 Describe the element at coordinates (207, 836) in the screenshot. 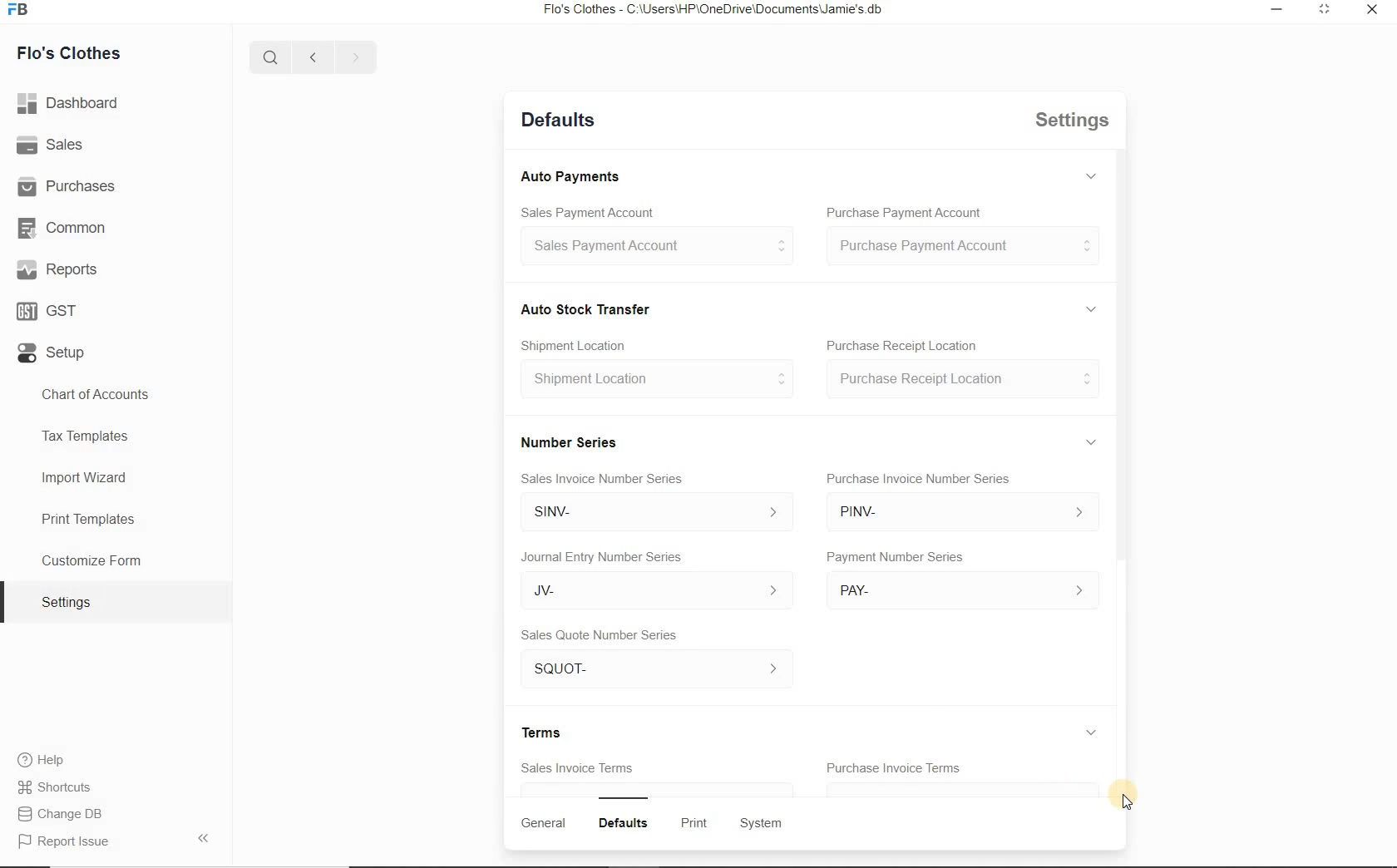

I see `Arrow` at that location.